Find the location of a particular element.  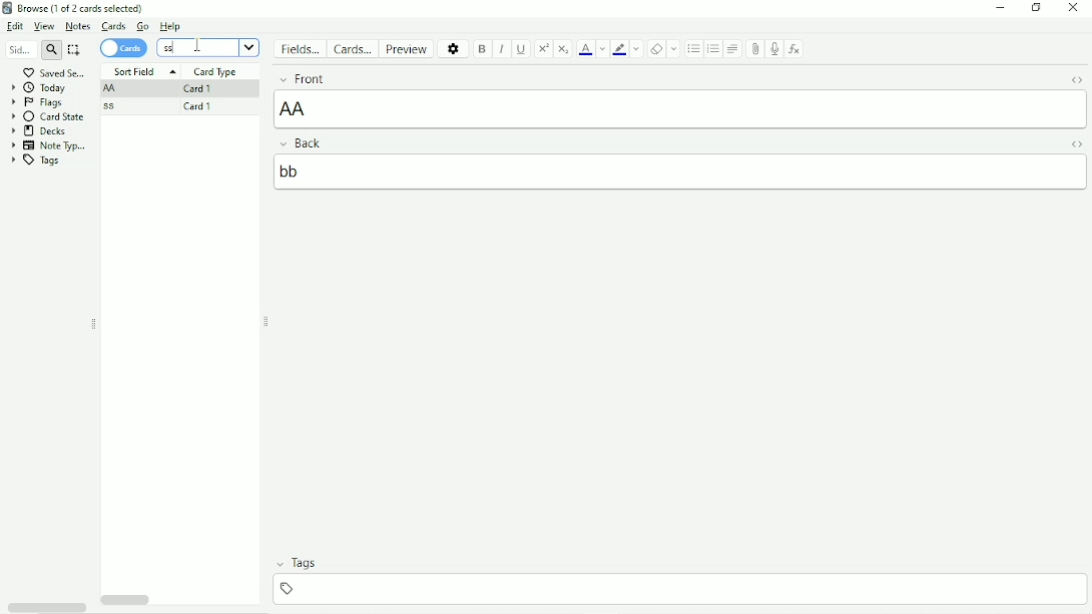

Record audio is located at coordinates (775, 49).